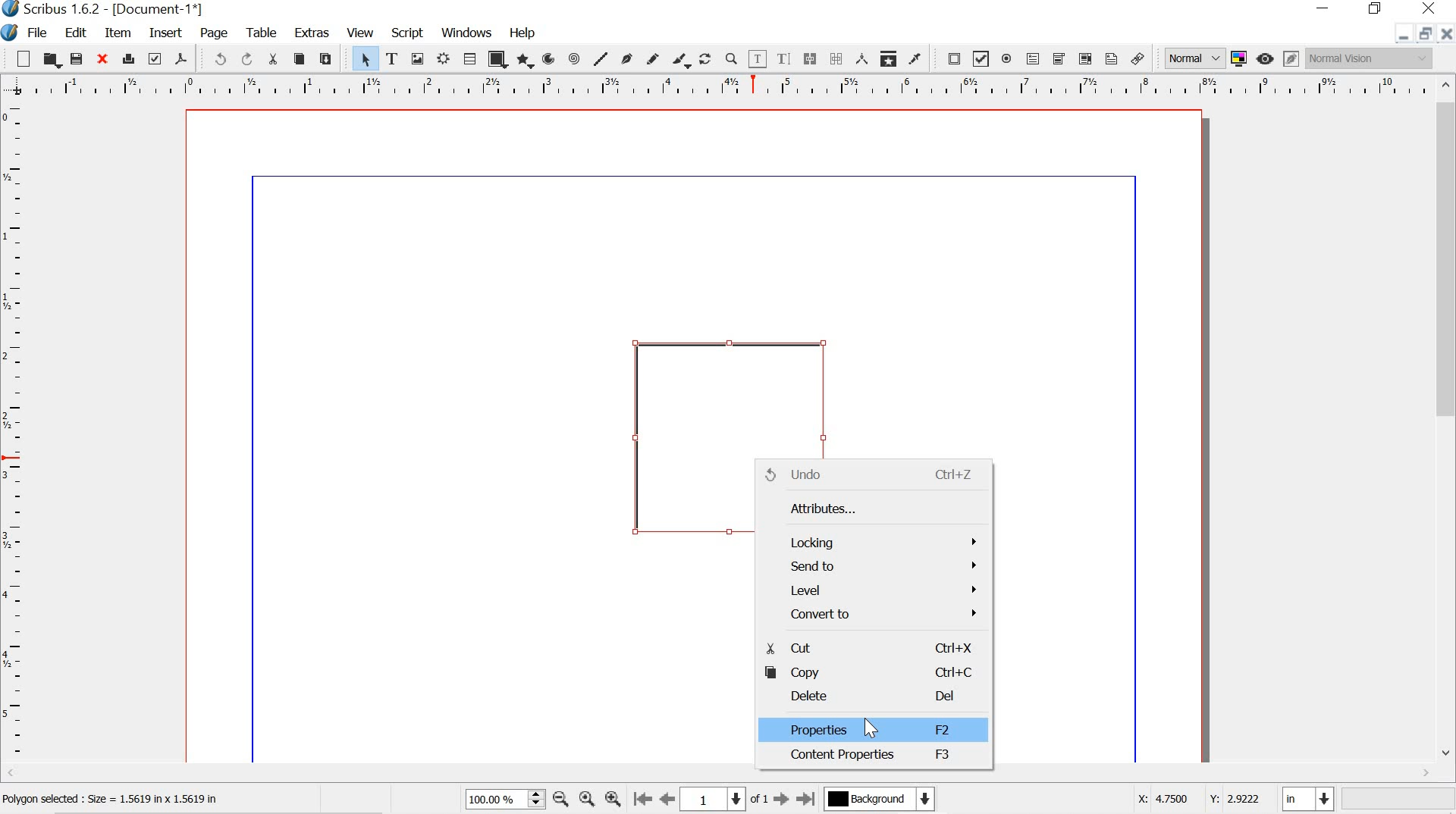 This screenshot has width=1456, height=814. I want to click on ruler, so click(716, 86).